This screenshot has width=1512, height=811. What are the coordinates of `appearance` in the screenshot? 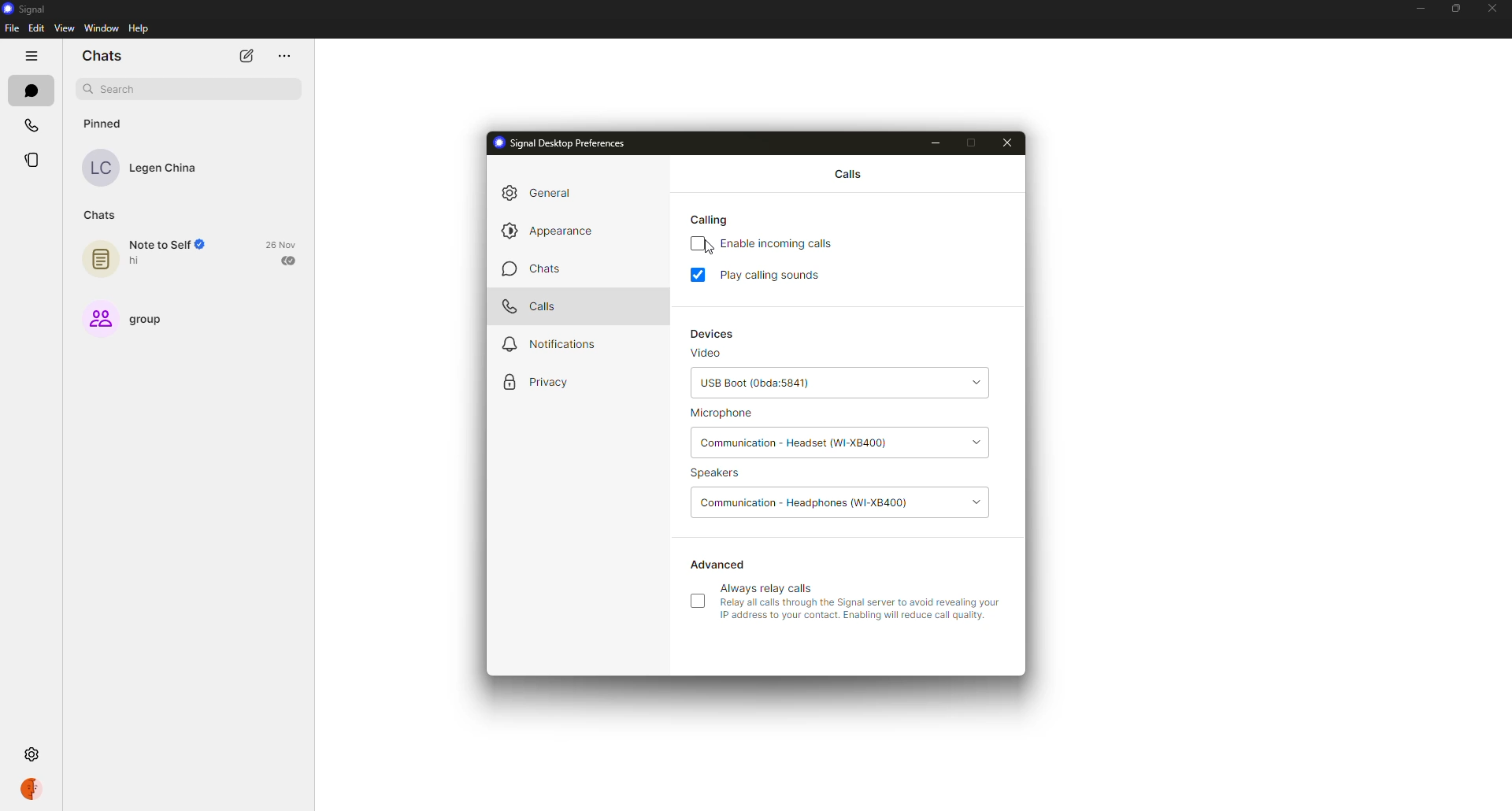 It's located at (554, 233).